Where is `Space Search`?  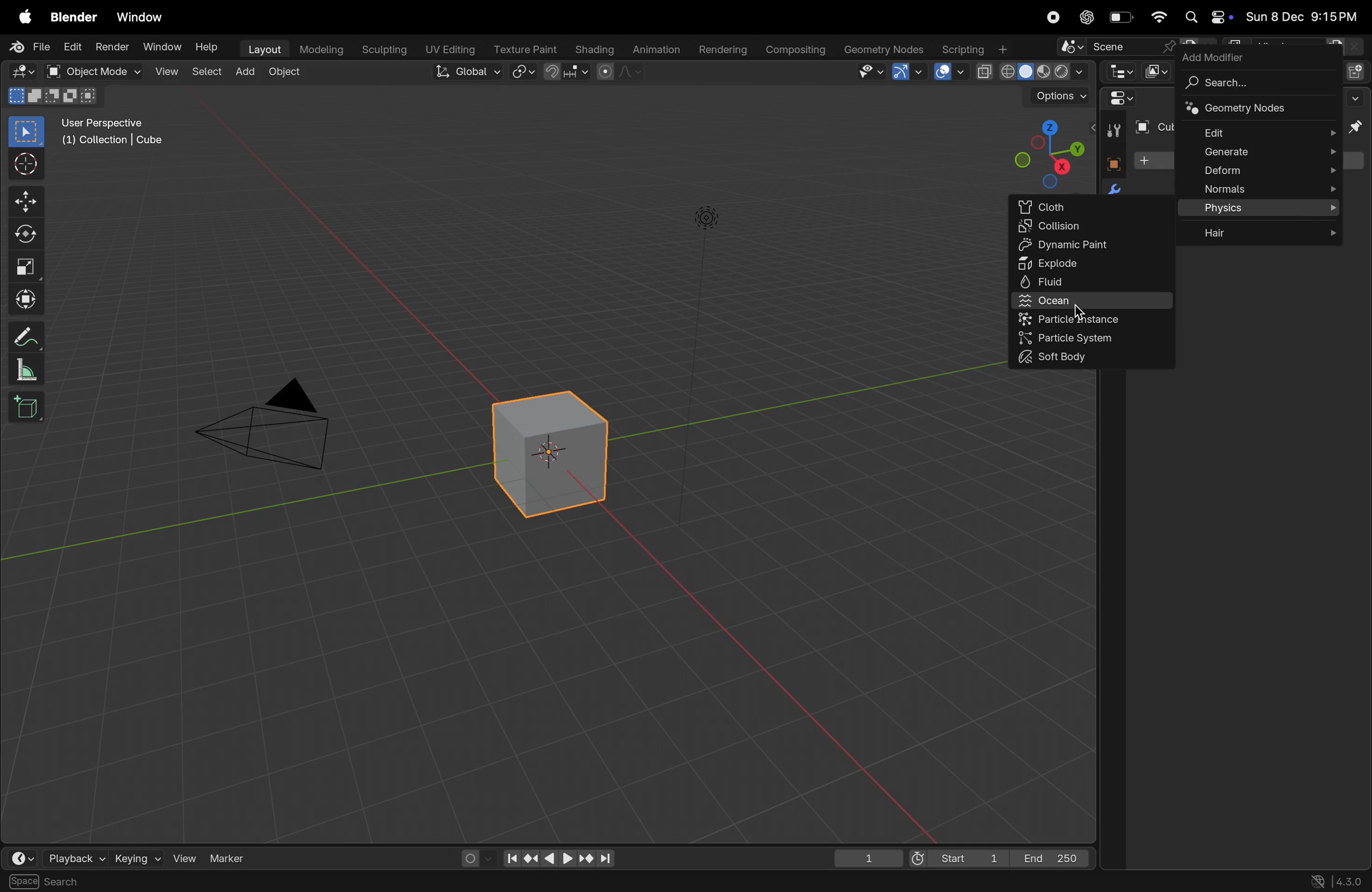 Space Search is located at coordinates (48, 882).